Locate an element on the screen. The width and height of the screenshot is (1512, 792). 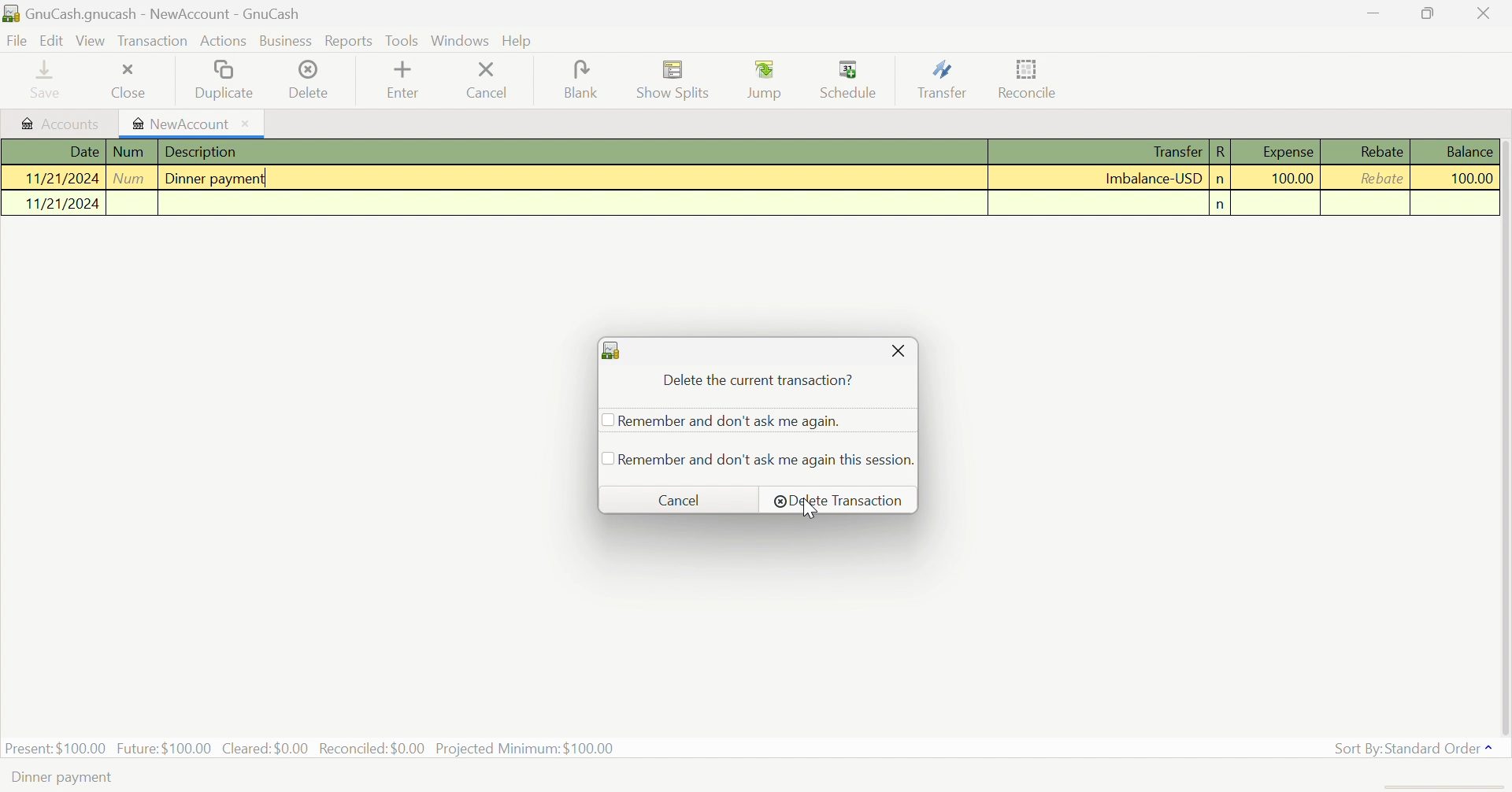
Accounts is located at coordinates (62, 126).